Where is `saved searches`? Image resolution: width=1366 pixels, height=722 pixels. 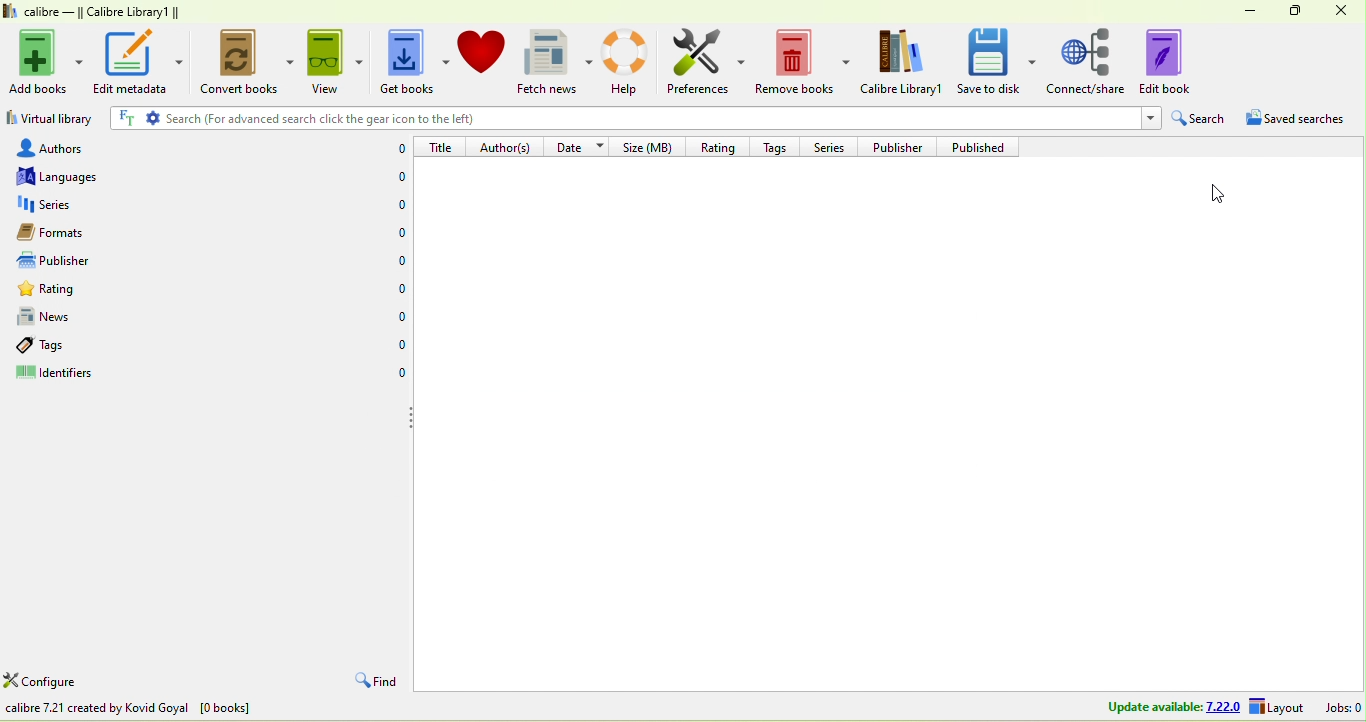
saved searches is located at coordinates (1303, 121).